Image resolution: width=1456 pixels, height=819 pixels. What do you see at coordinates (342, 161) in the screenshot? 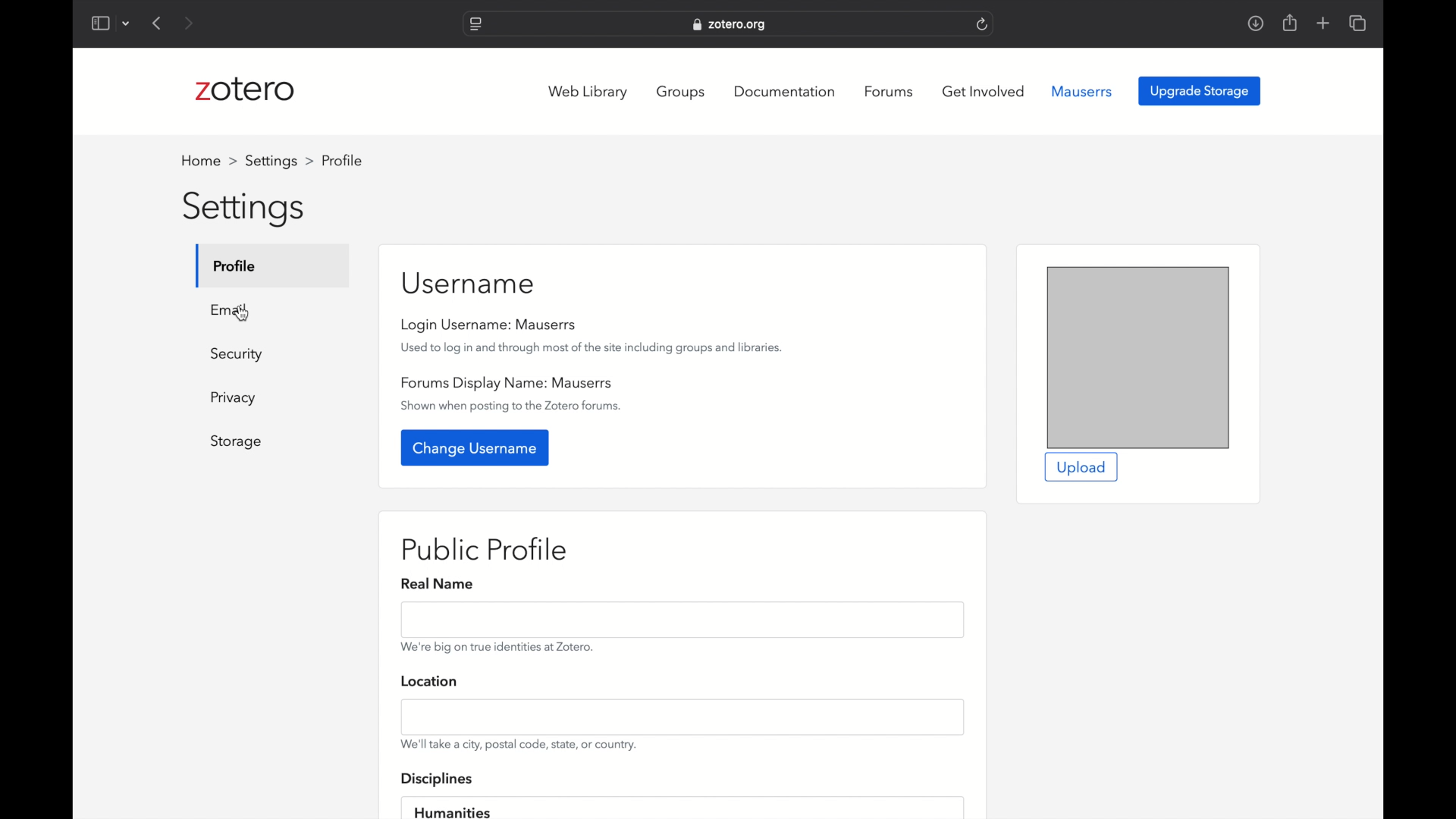
I see `profile` at bounding box center [342, 161].